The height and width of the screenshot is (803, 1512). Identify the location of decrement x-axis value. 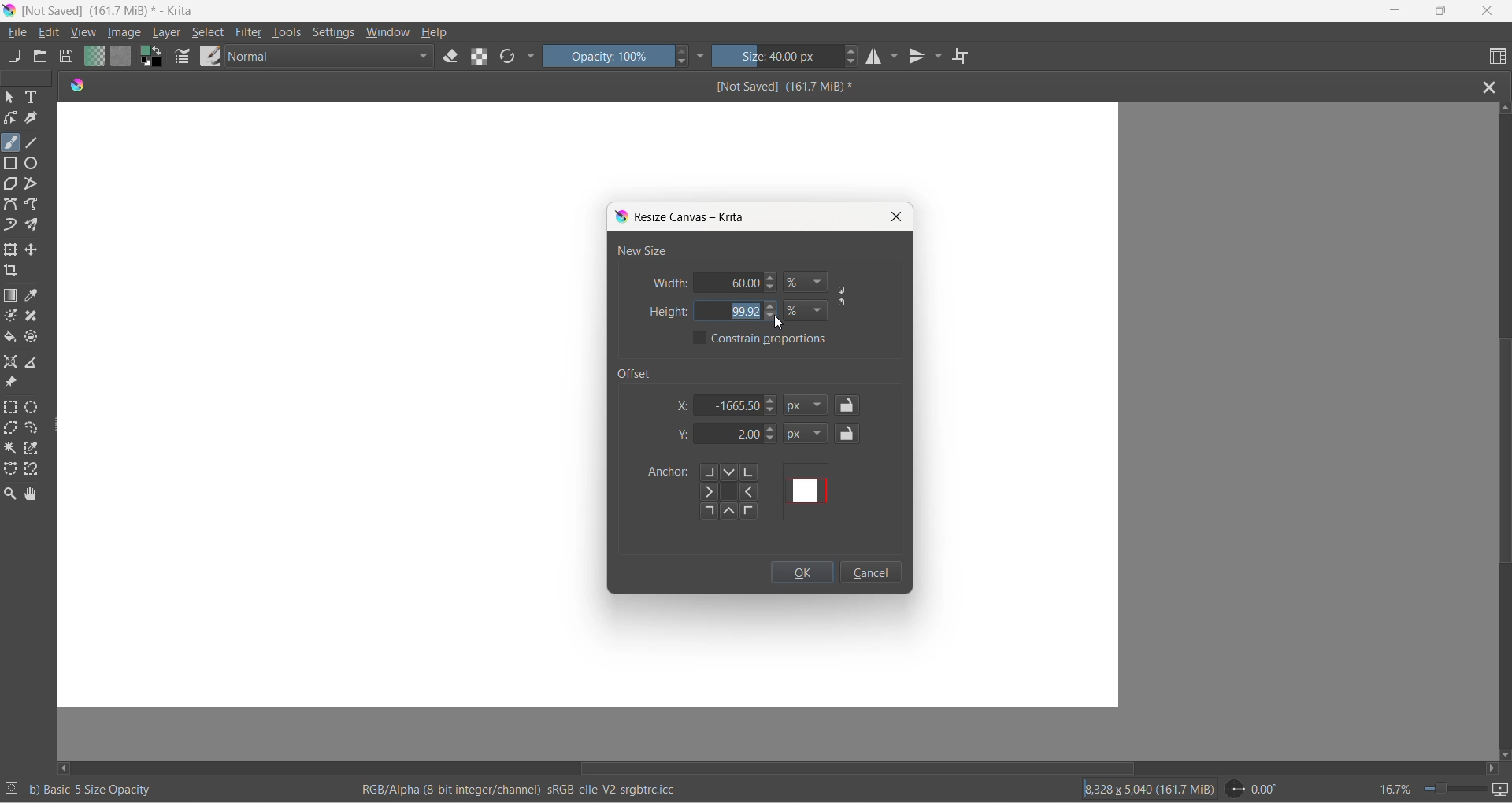
(771, 412).